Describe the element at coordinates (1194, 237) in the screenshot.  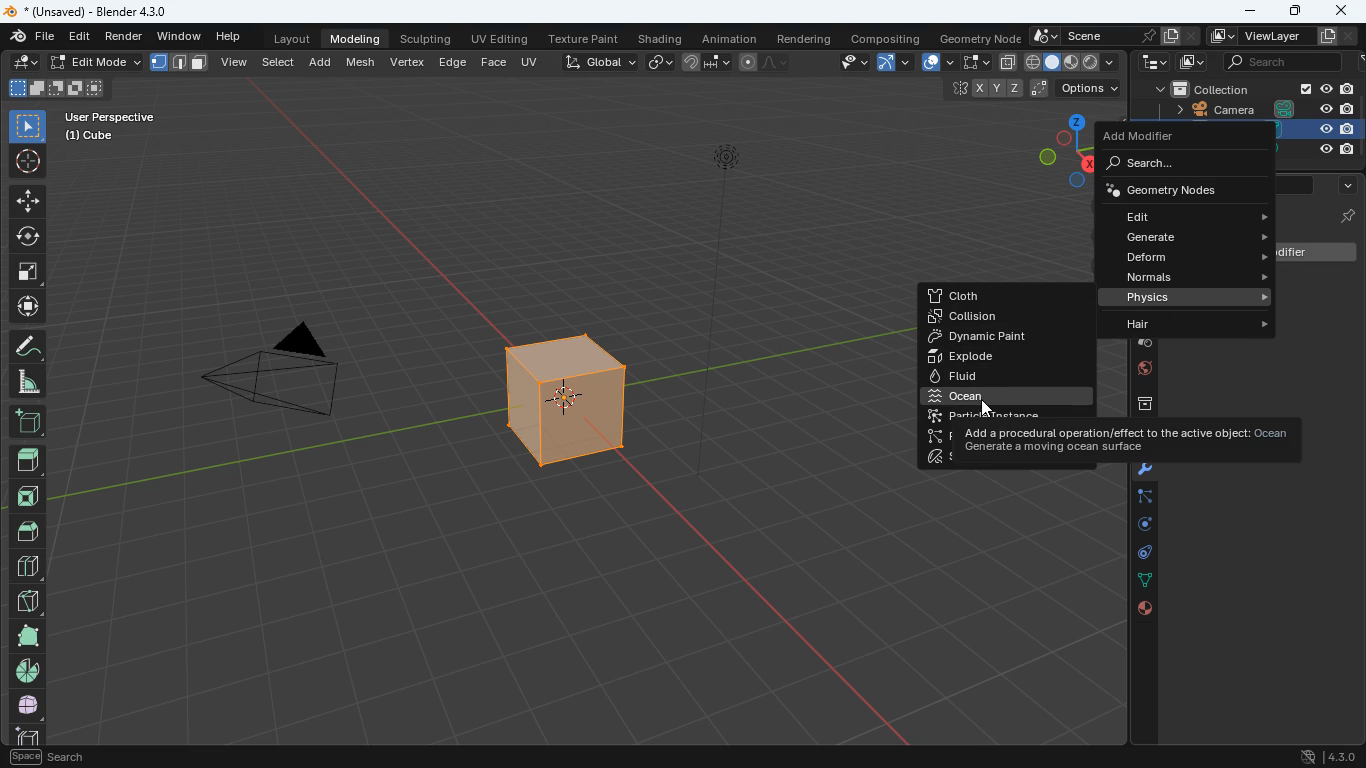
I see `generate` at that location.